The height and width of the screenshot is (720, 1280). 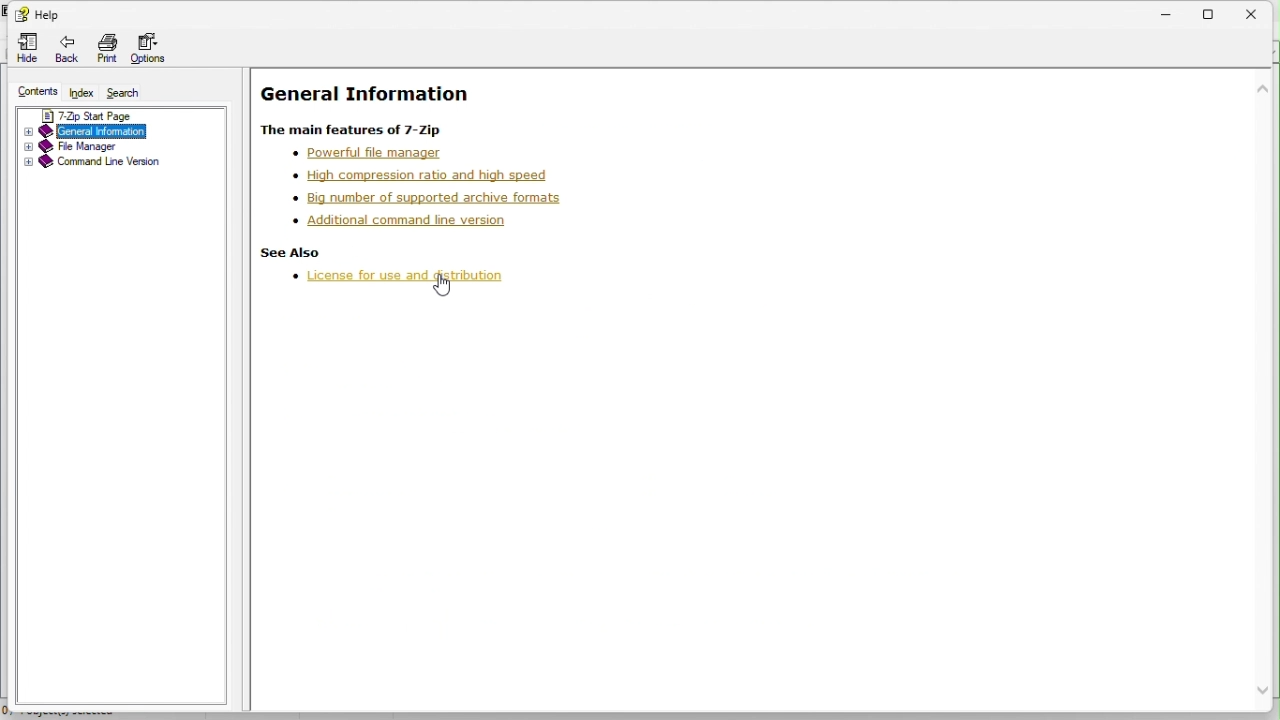 I want to click on cursor, so click(x=443, y=290).